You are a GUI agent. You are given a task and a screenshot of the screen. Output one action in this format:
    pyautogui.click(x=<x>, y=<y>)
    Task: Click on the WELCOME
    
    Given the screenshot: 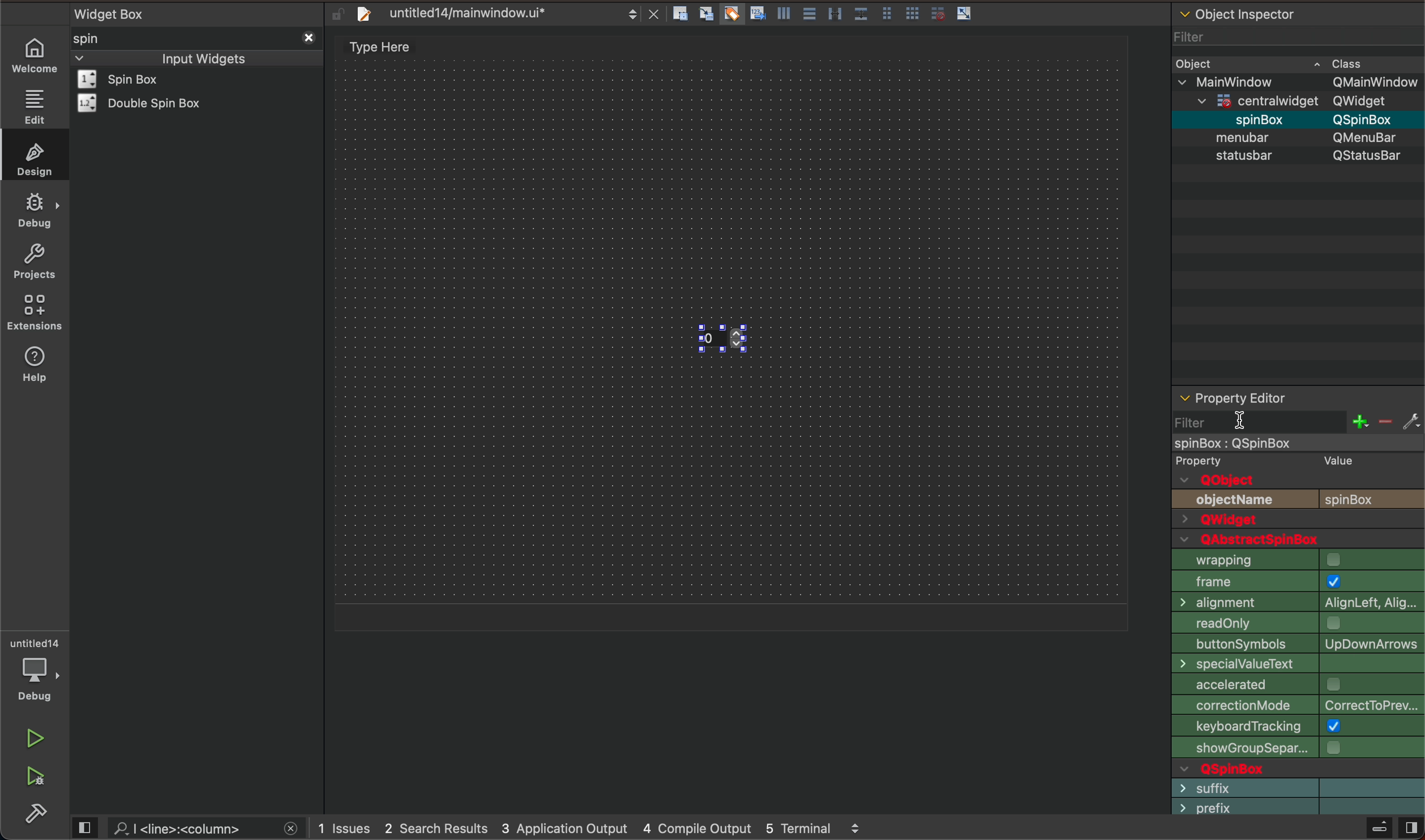 What is the action you would take?
    pyautogui.click(x=36, y=56)
    